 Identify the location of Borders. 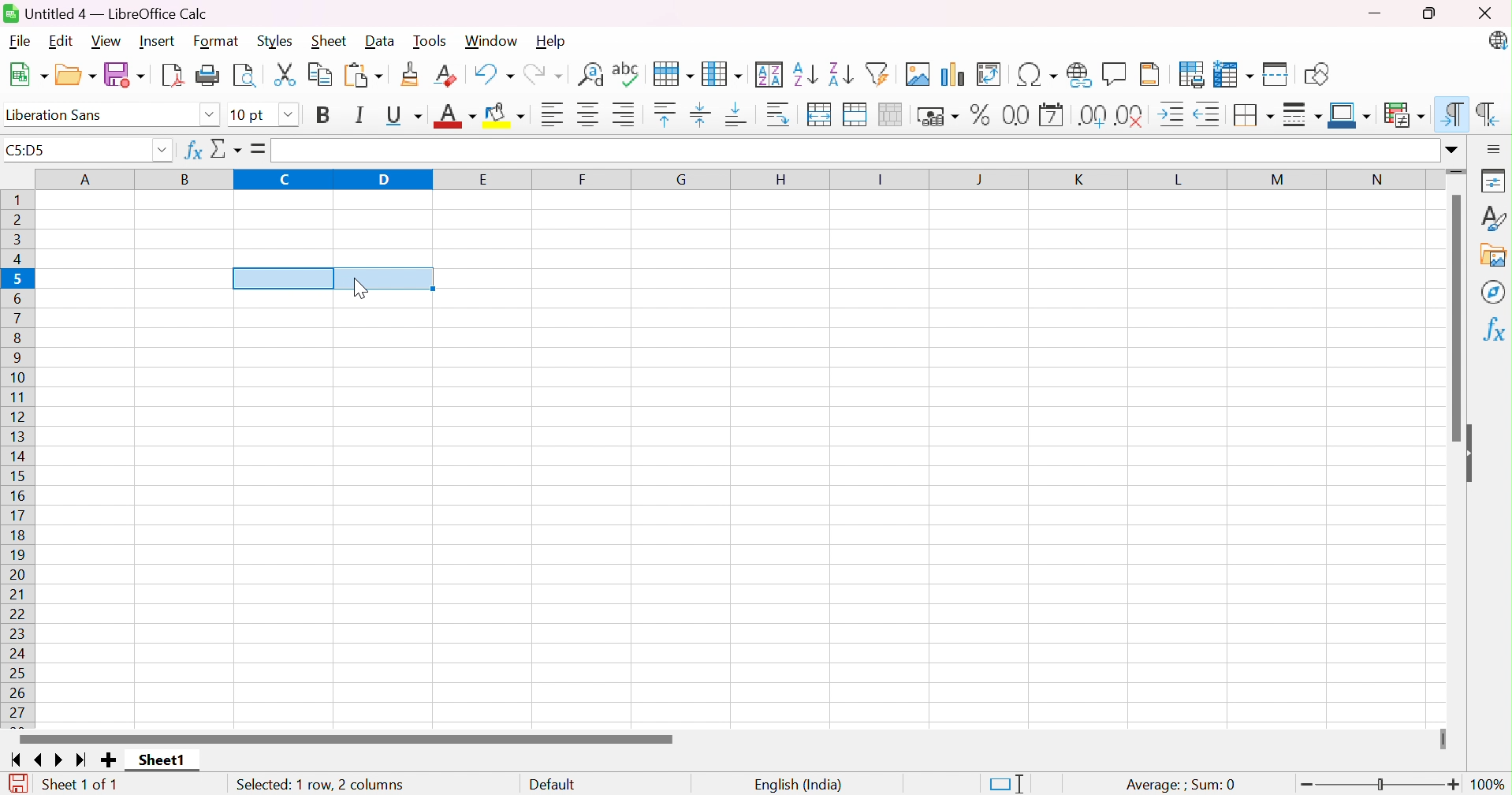
(1254, 114).